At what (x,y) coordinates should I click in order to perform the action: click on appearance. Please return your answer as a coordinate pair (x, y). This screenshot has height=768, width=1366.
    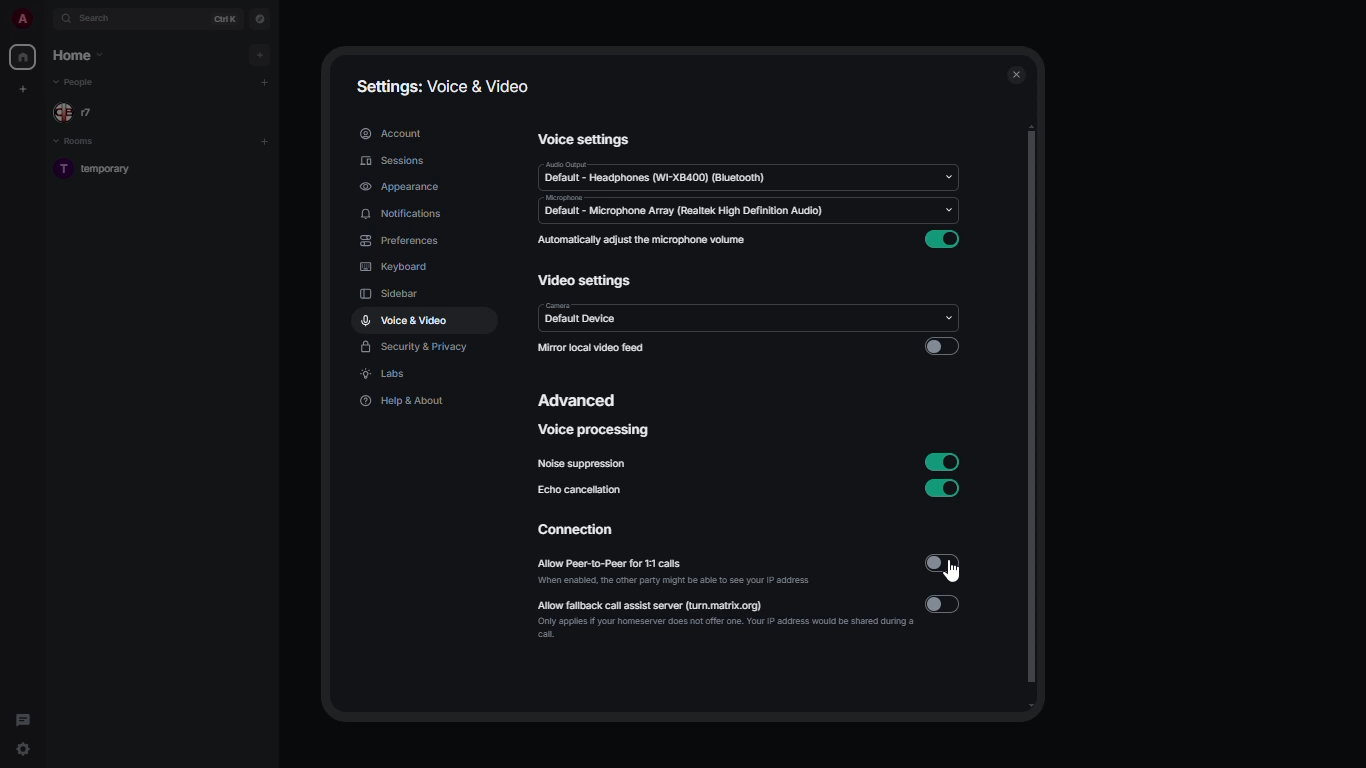
    Looking at the image, I should click on (400, 186).